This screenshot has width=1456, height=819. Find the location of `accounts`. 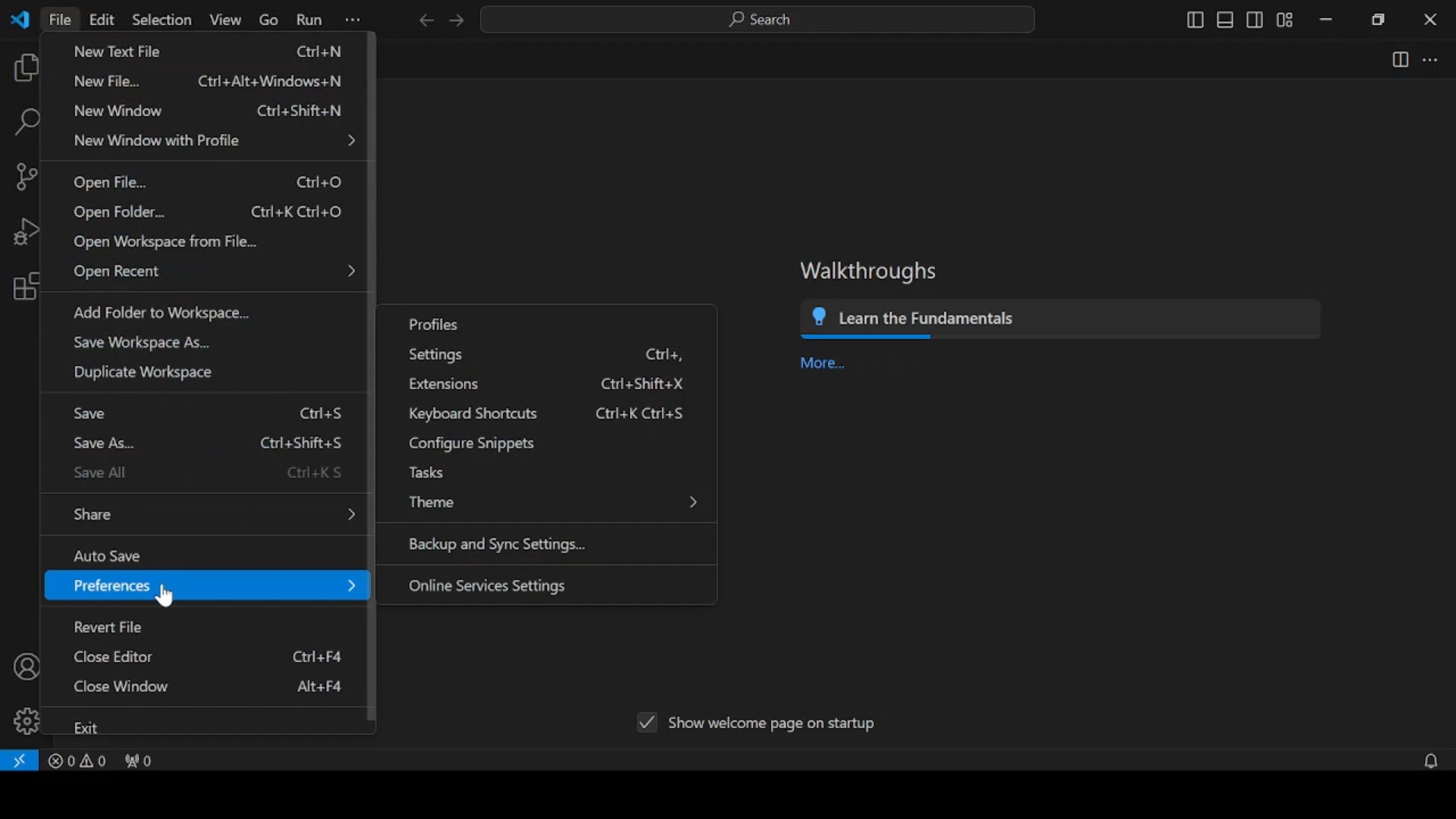

accounts is located at coordinates (24, 667).